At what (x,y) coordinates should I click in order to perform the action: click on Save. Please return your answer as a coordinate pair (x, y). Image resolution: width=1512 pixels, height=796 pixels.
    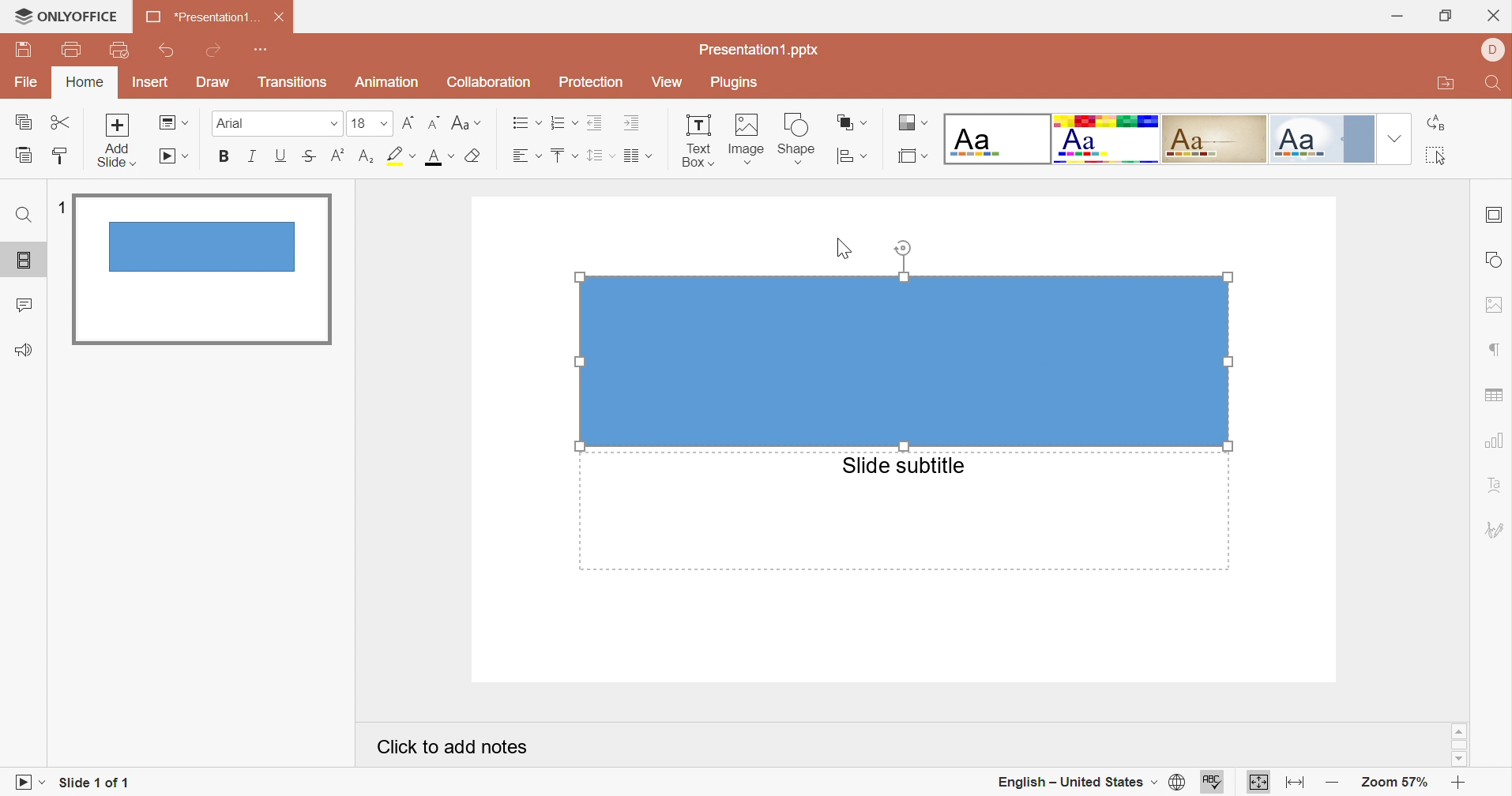
    Looking at the image, I should click on (24, 50).